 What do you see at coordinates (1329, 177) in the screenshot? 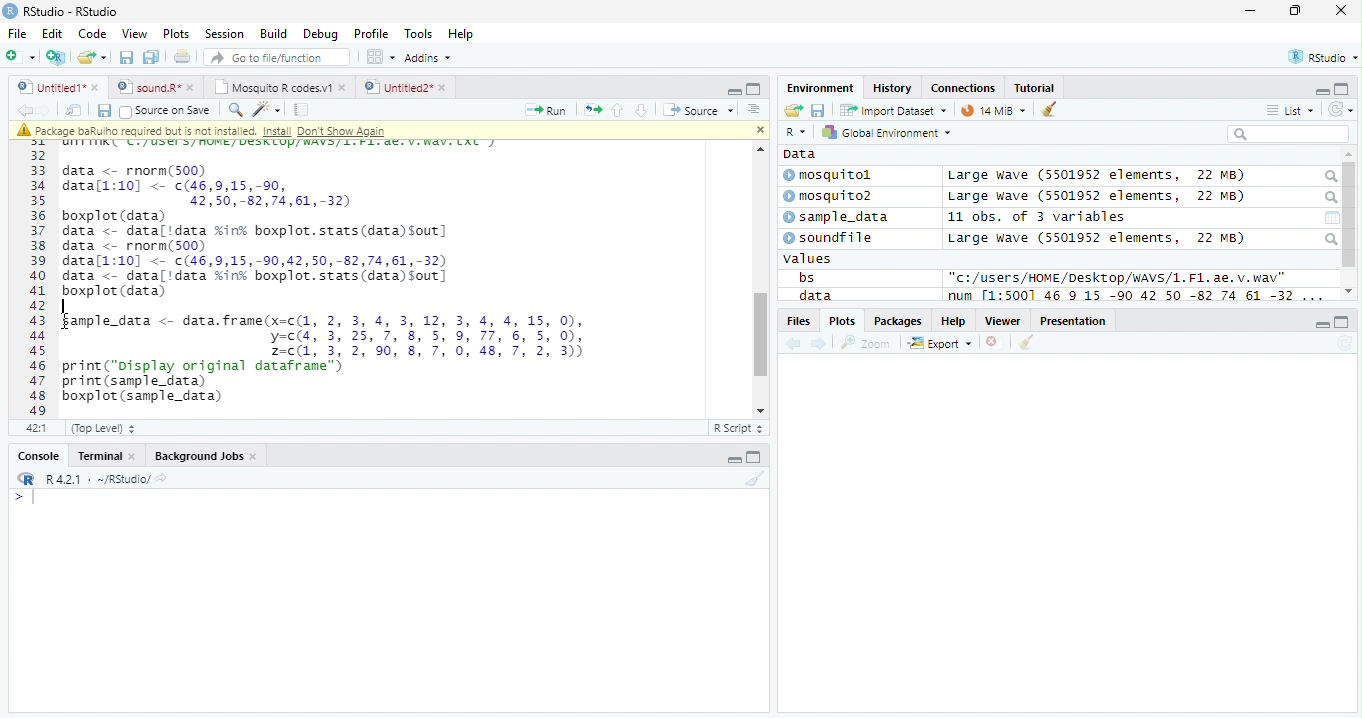
I see `search` at bounding box center [1329, 177].